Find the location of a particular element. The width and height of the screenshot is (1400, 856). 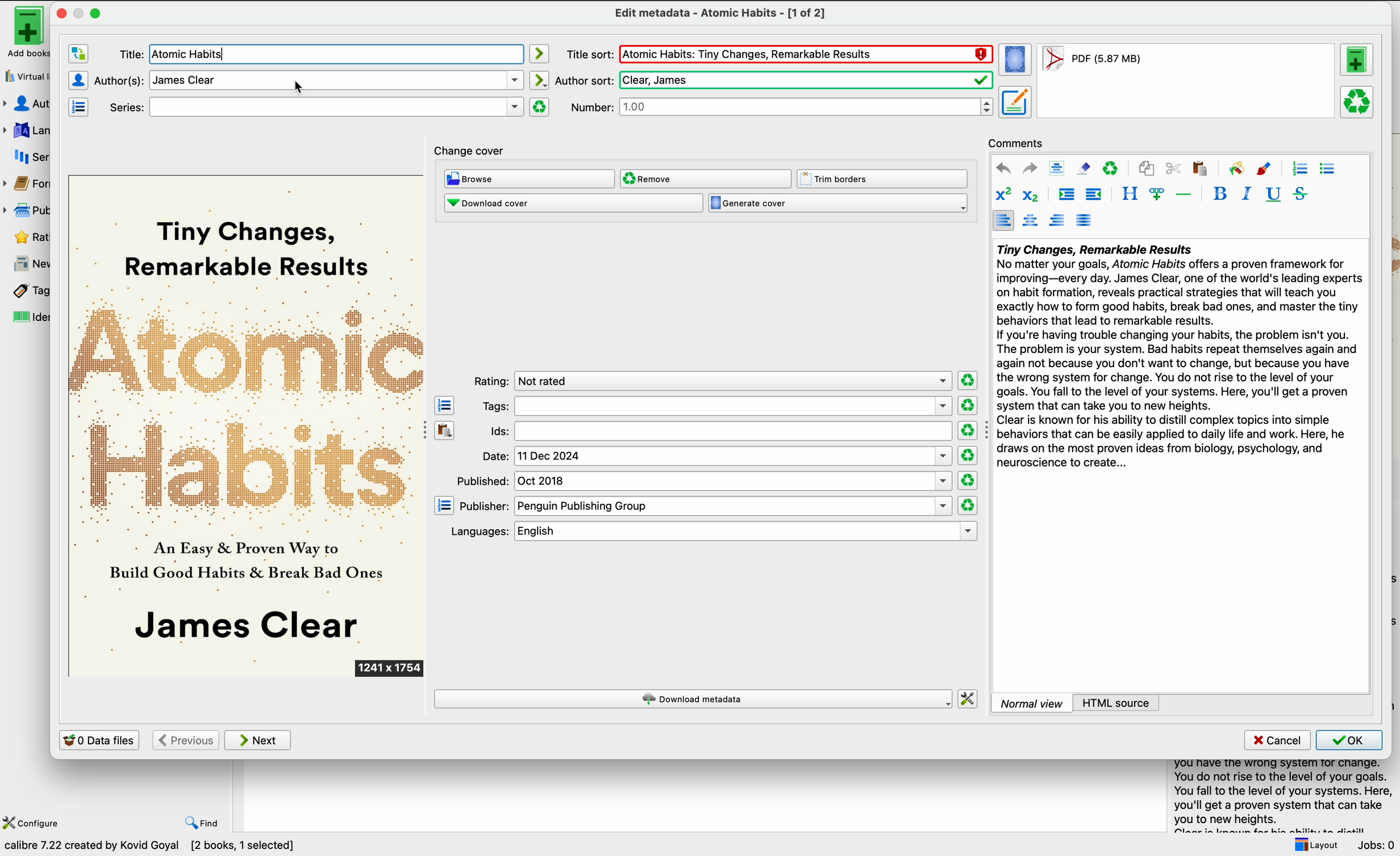

change cover is located at coordinates (472, 148).